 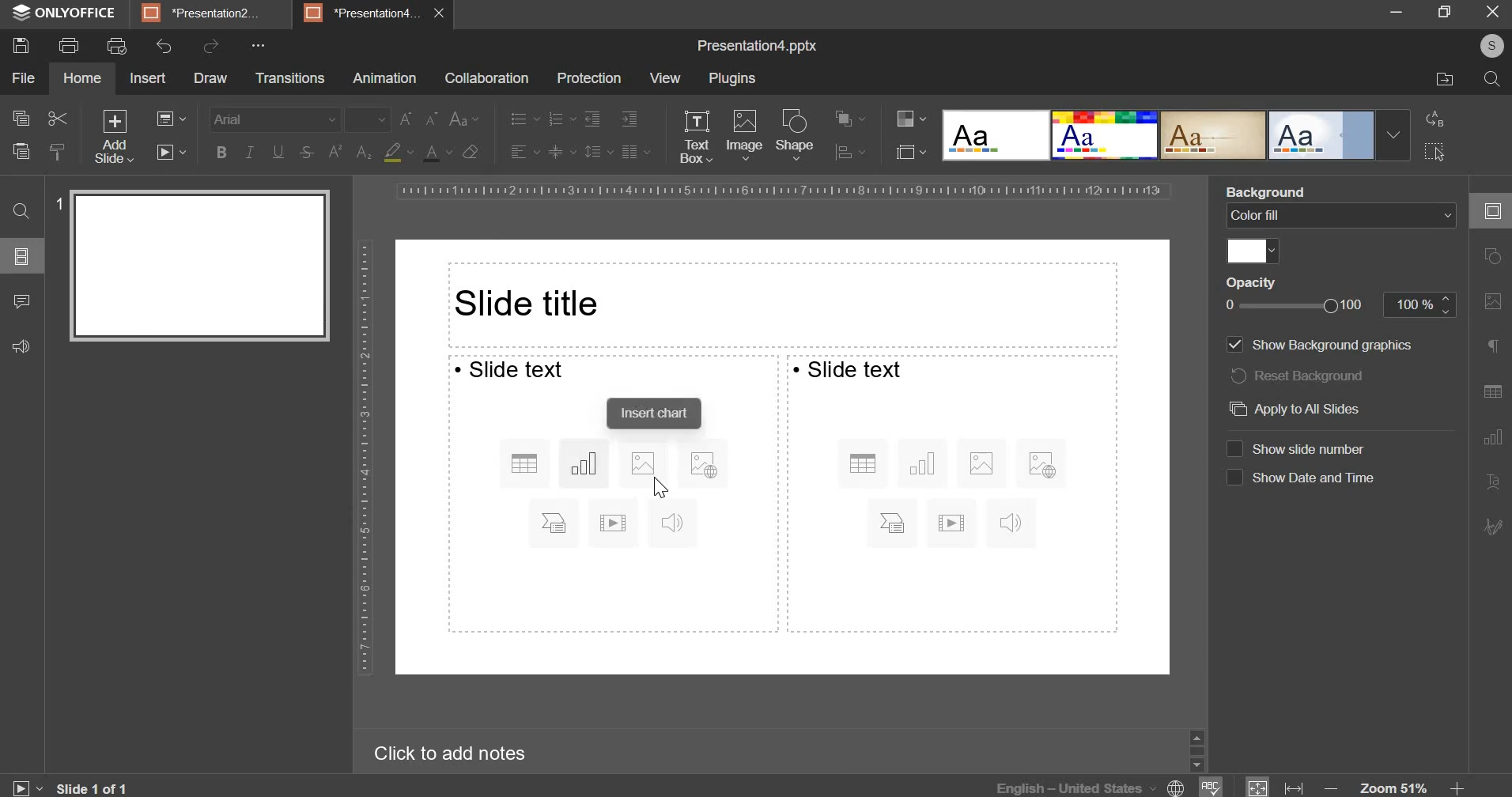 I want to click on cursor, so click(x=662, y=489).